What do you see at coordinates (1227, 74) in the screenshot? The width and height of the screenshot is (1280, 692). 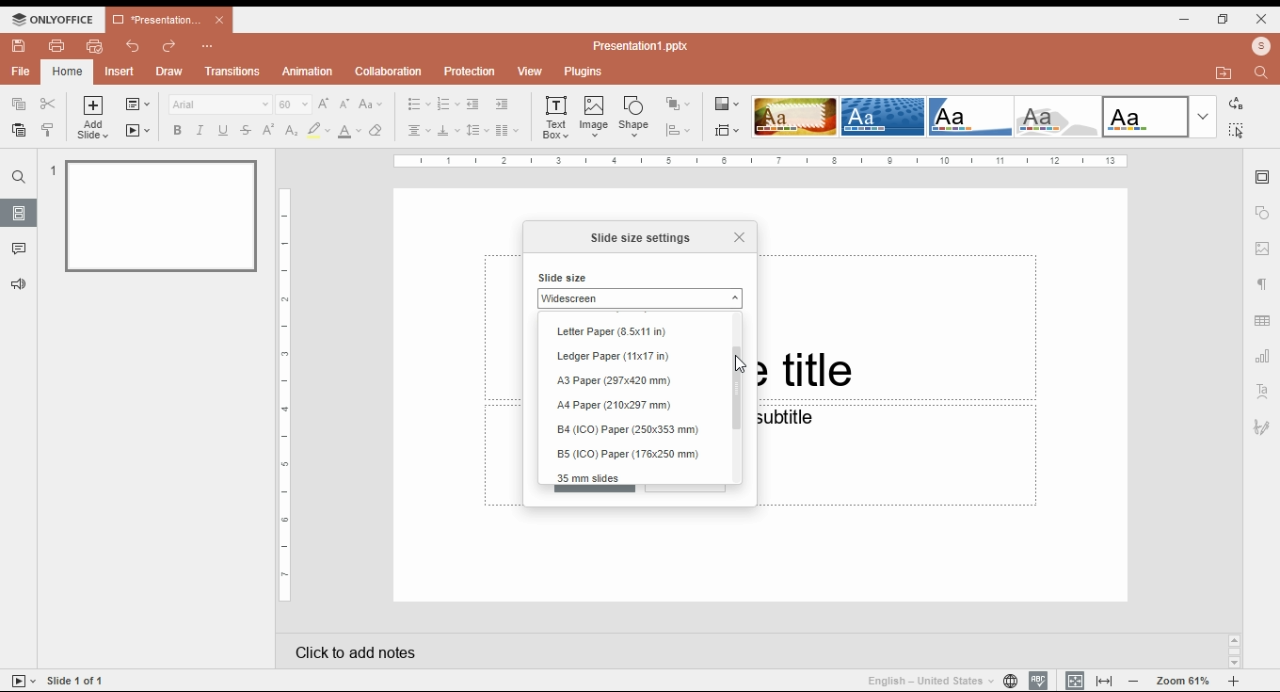 I see `open file location` at bounding box center [1227, 74].